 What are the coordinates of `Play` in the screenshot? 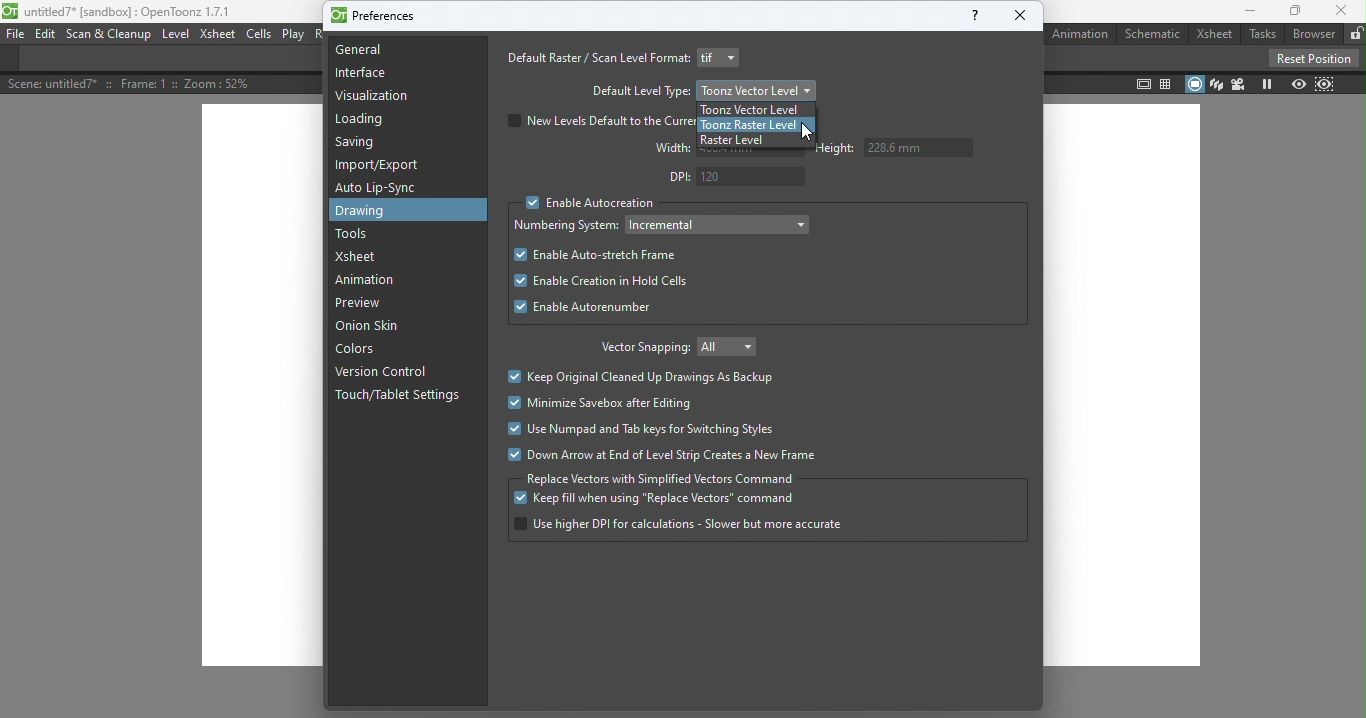 It's located at (295, 34).